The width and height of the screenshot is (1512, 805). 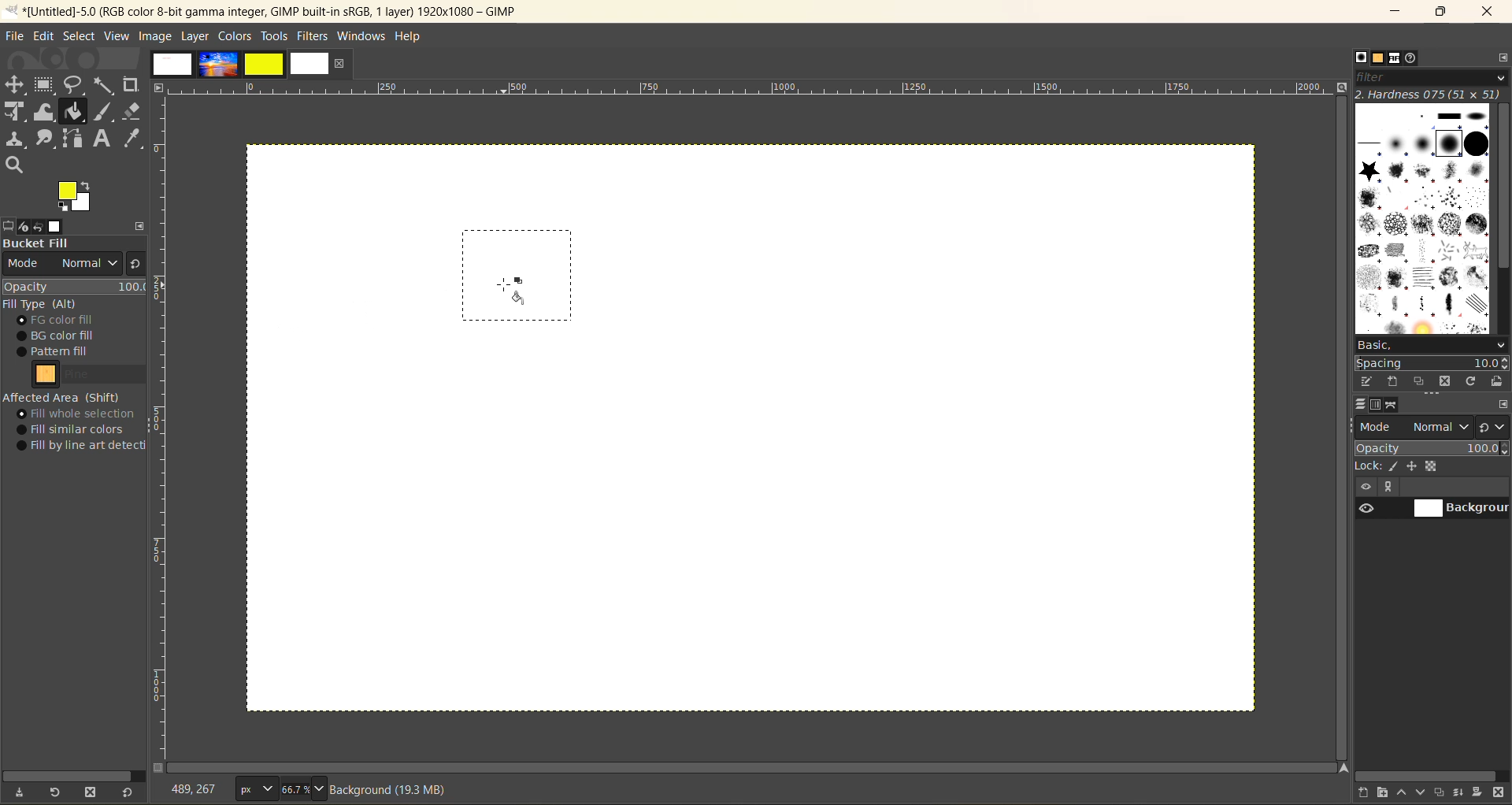 What do you see at coordinates (1378, 408) in the screenshot?
I see `channels` at bounding box center [1378, 408].